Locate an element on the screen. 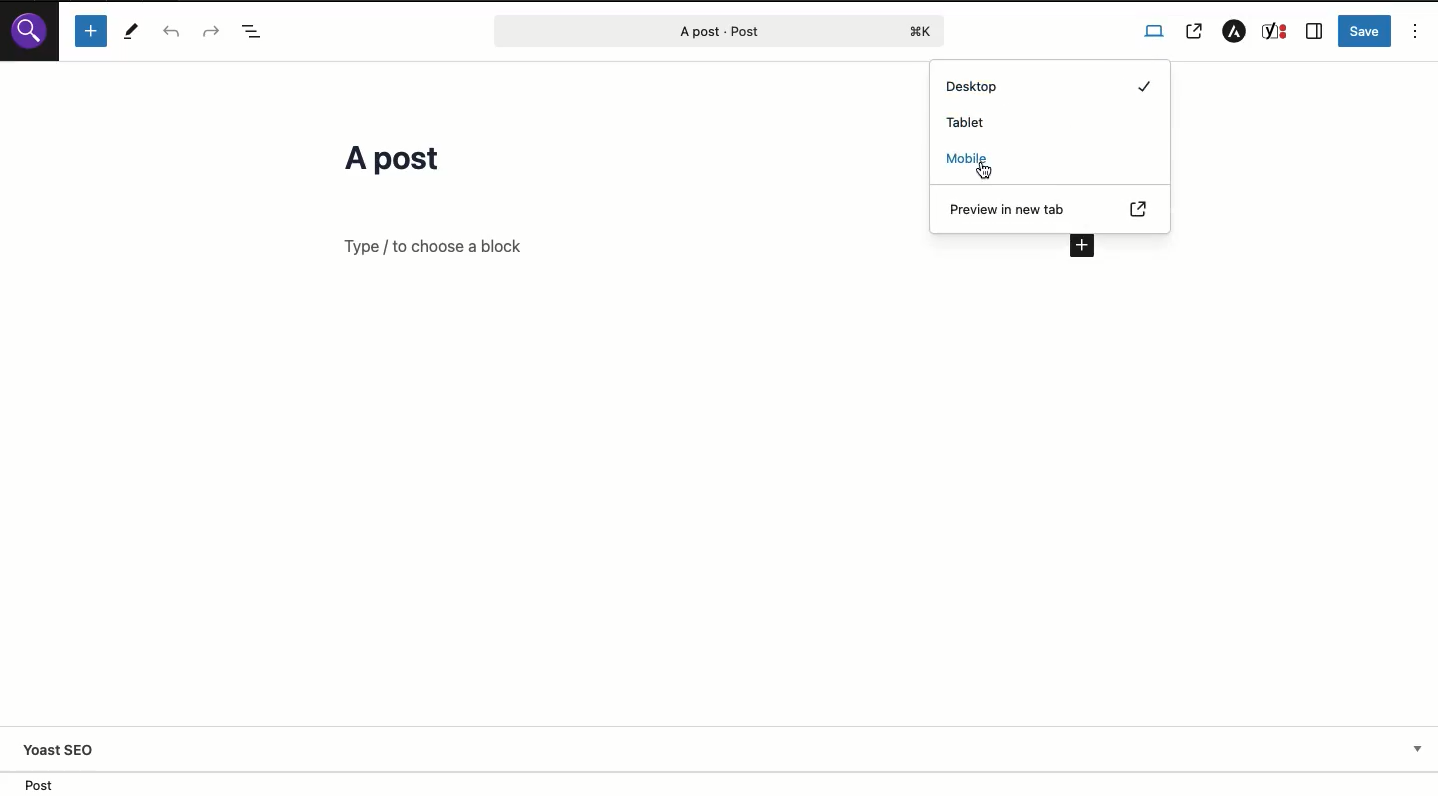 Image resolution: width=1438 pixels, height=796 pixels. Save is located at coordinates (1365, 29).